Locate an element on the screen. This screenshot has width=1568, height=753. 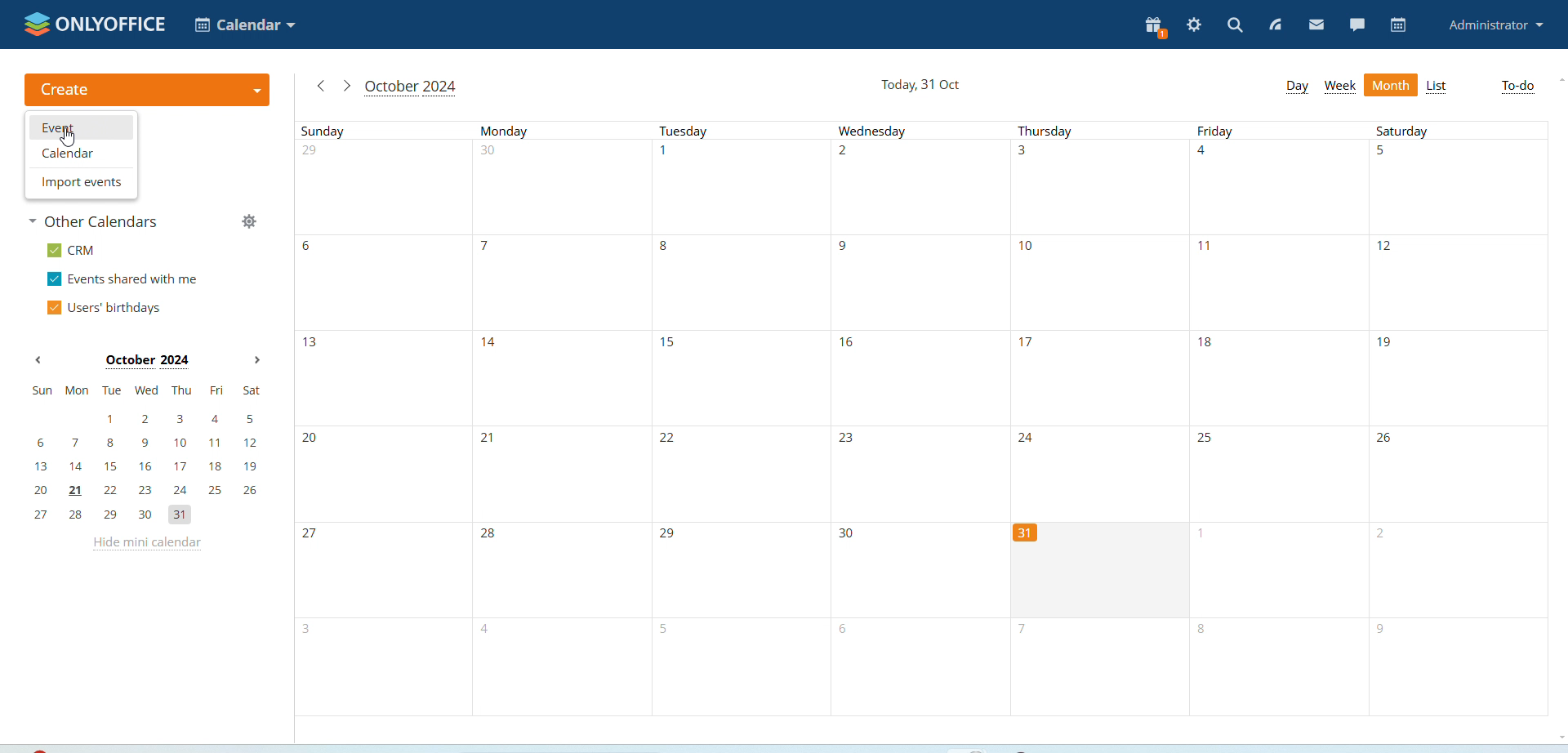
go to previous month is located at coordinates (319, 87).